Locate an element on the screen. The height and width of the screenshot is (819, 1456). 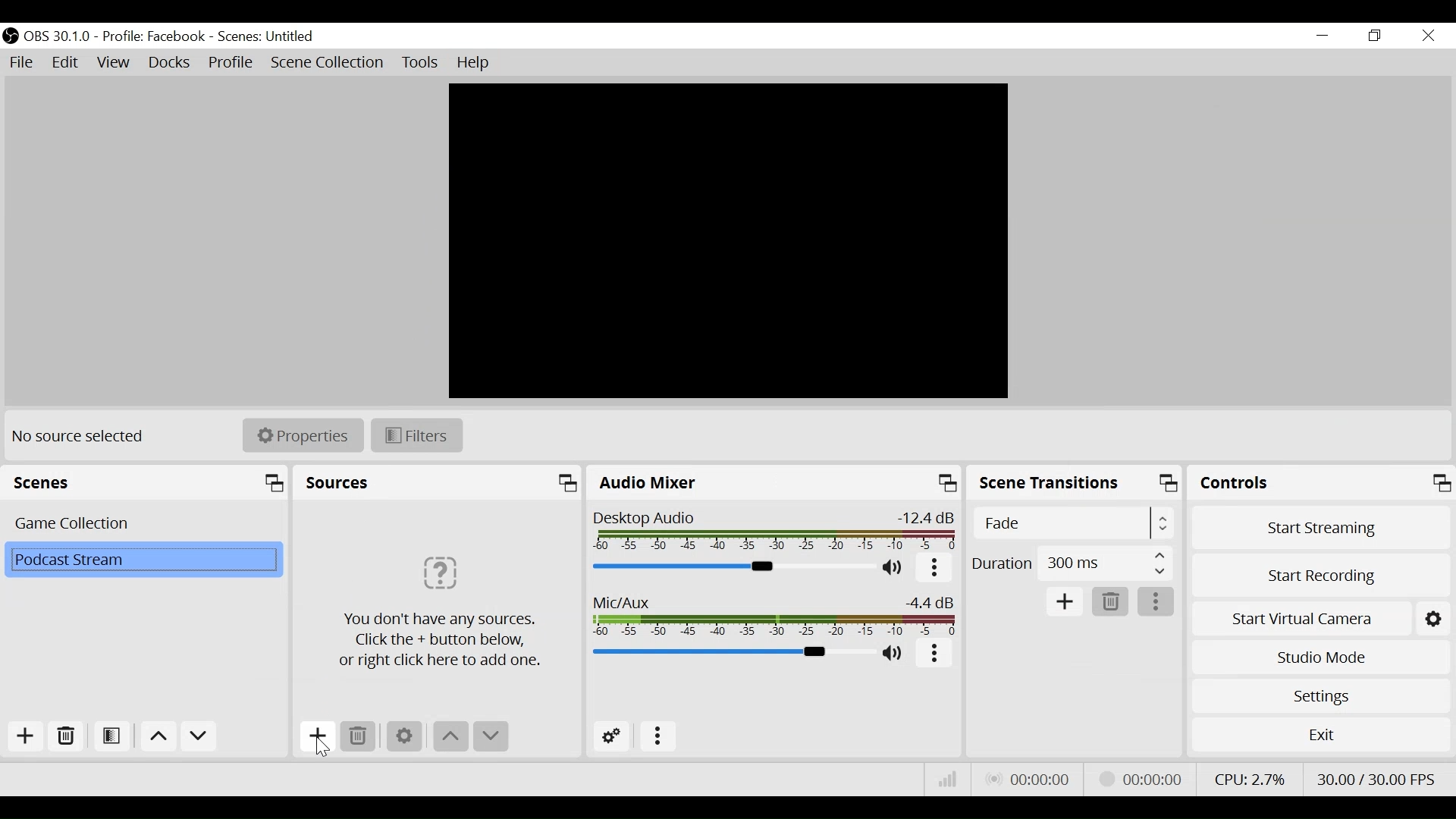
Move down is located at coordinates (491, 737).